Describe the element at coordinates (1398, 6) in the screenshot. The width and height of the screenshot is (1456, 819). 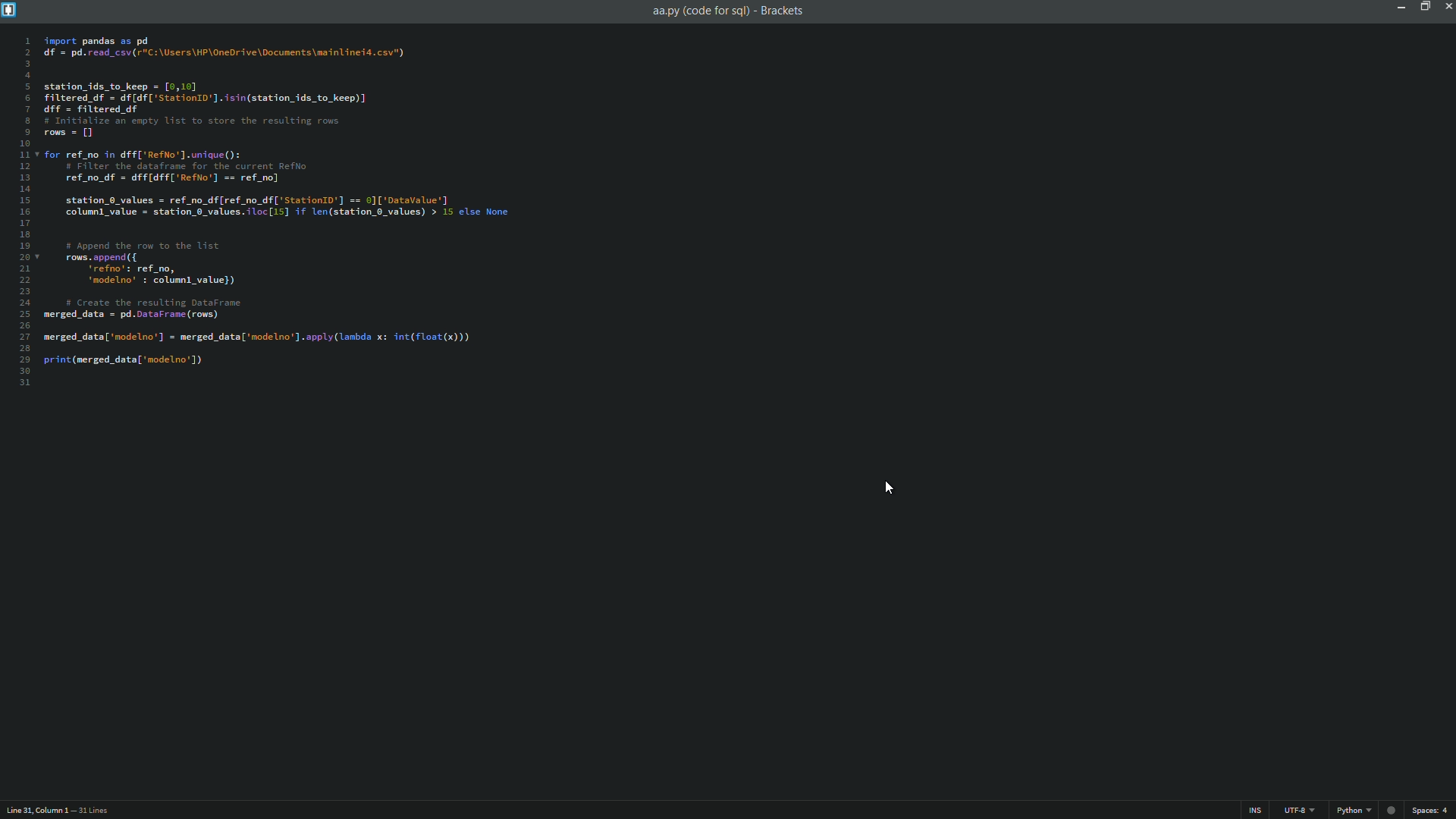
I see `minimize` at that location.